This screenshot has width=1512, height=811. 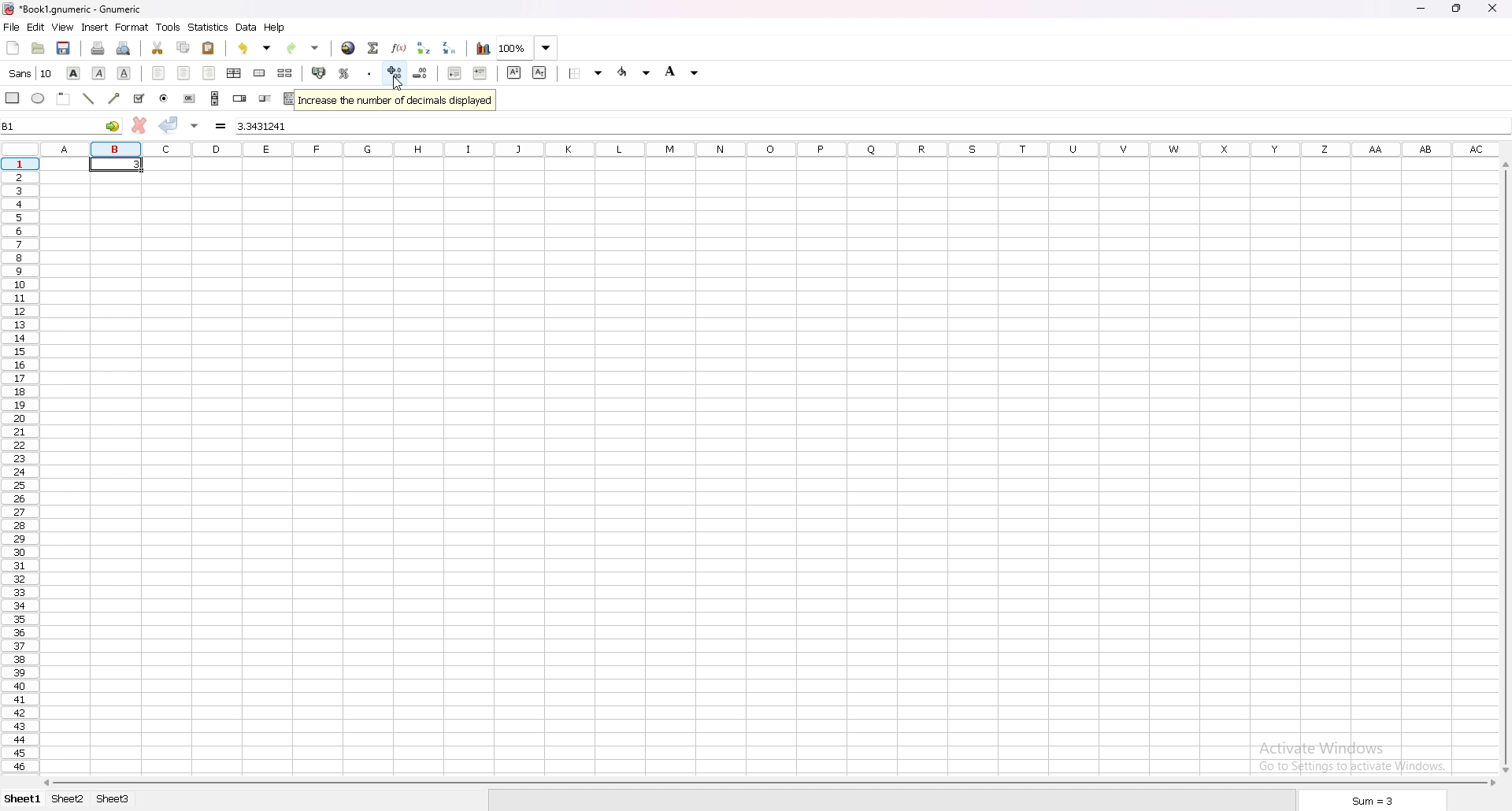 I want to click on accept changes, so click(x=169, y=126).